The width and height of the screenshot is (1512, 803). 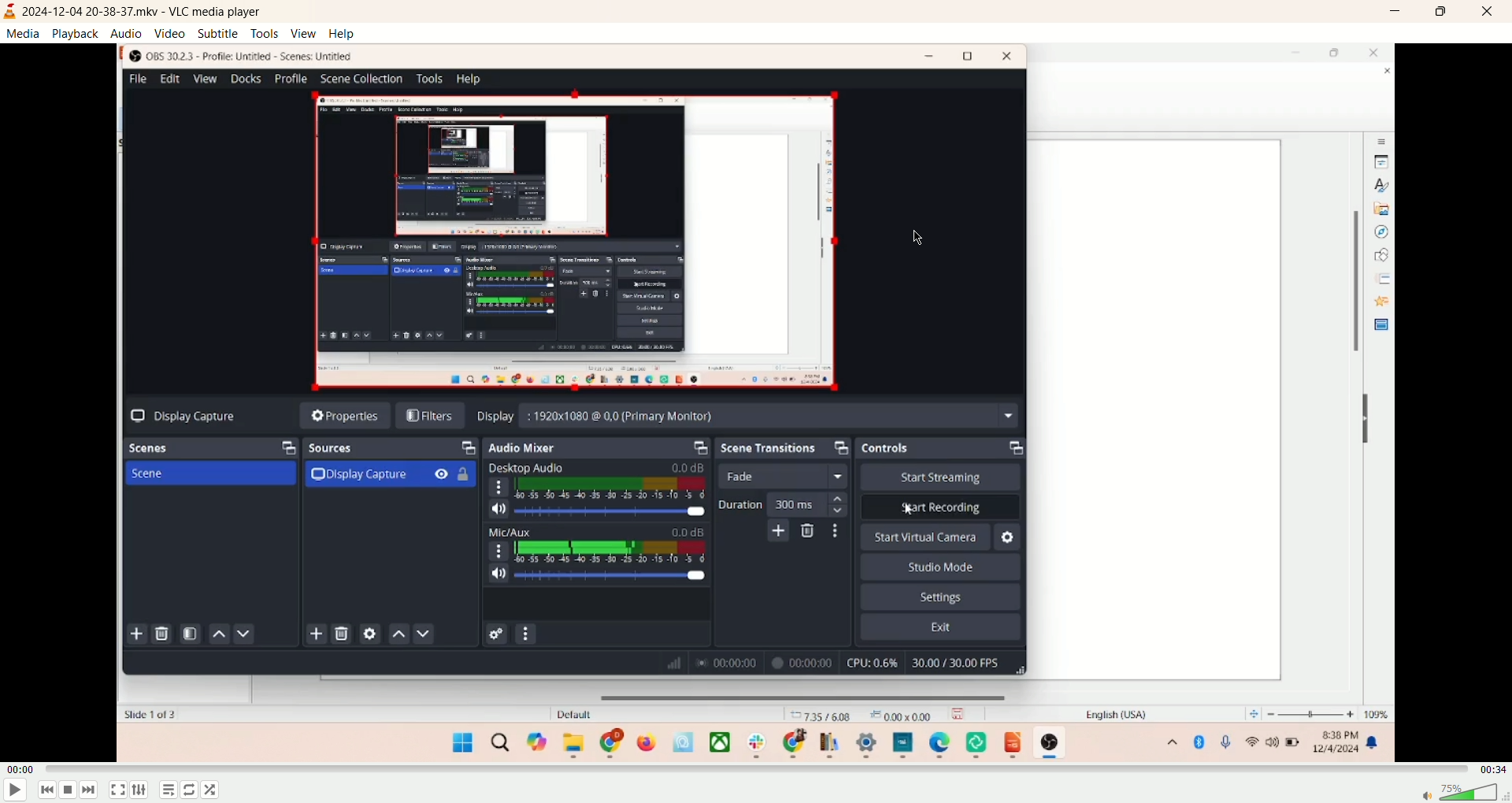 What do you see at coordinates (14, 792) in the screenshot?
I see `play/pause` at bounding box center [14, 792].